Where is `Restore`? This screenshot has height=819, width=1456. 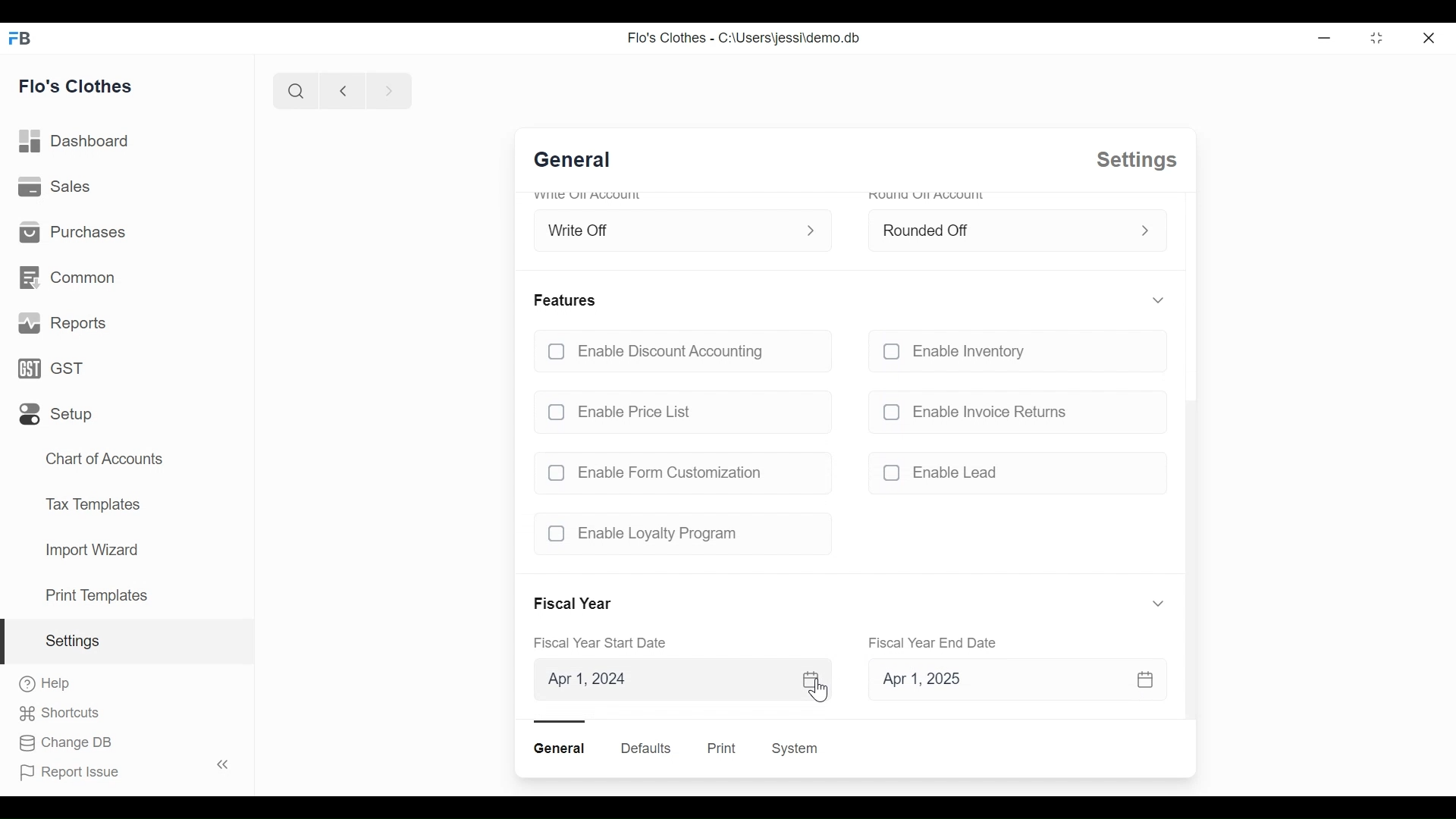
Restore is located at coordinates (1376, 37).